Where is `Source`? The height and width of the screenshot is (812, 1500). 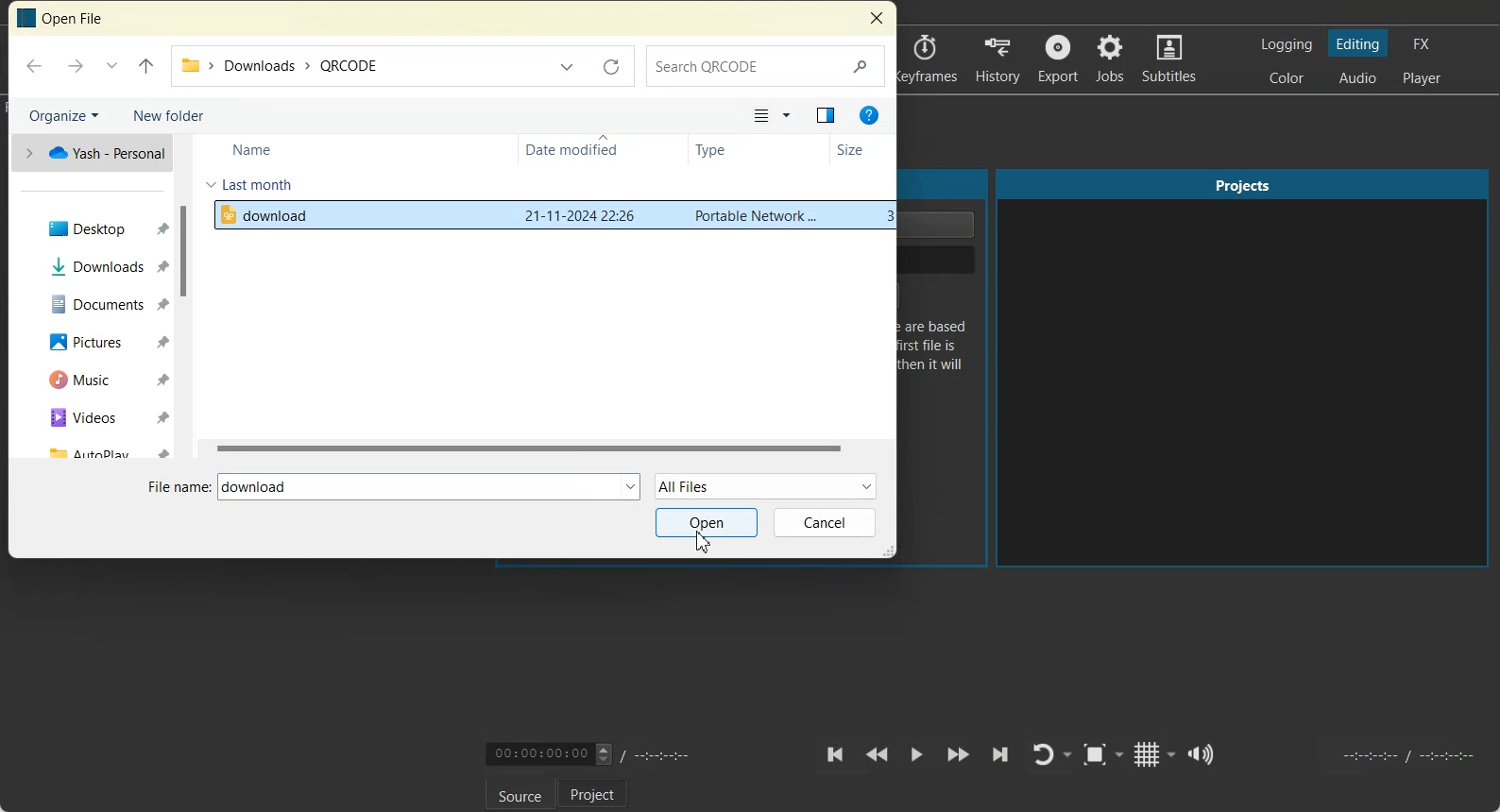 Source is located at coordinates (520, 794).